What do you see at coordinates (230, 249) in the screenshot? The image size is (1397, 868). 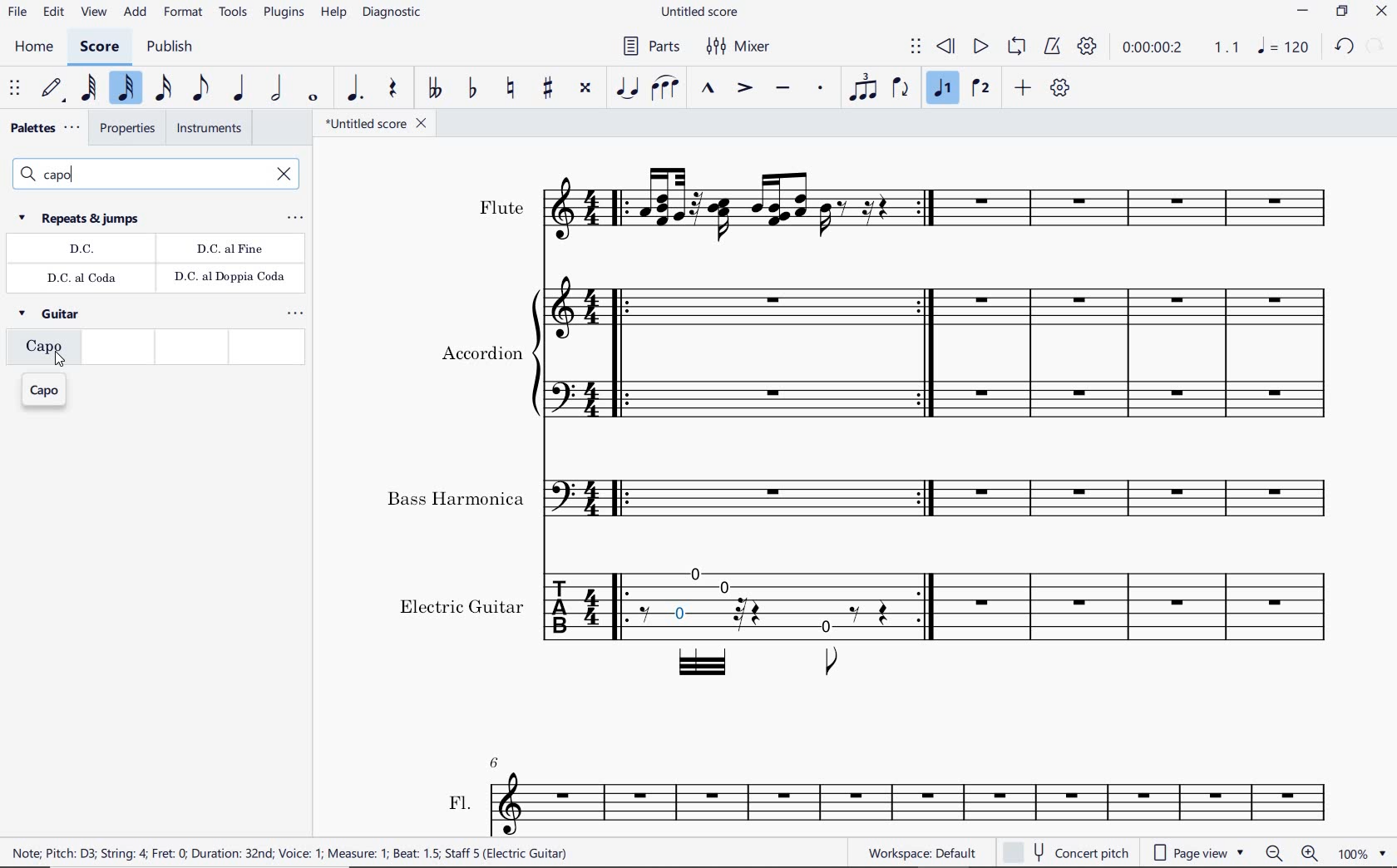 I see `D.C. al Fine` at bounding box center [230, 249].